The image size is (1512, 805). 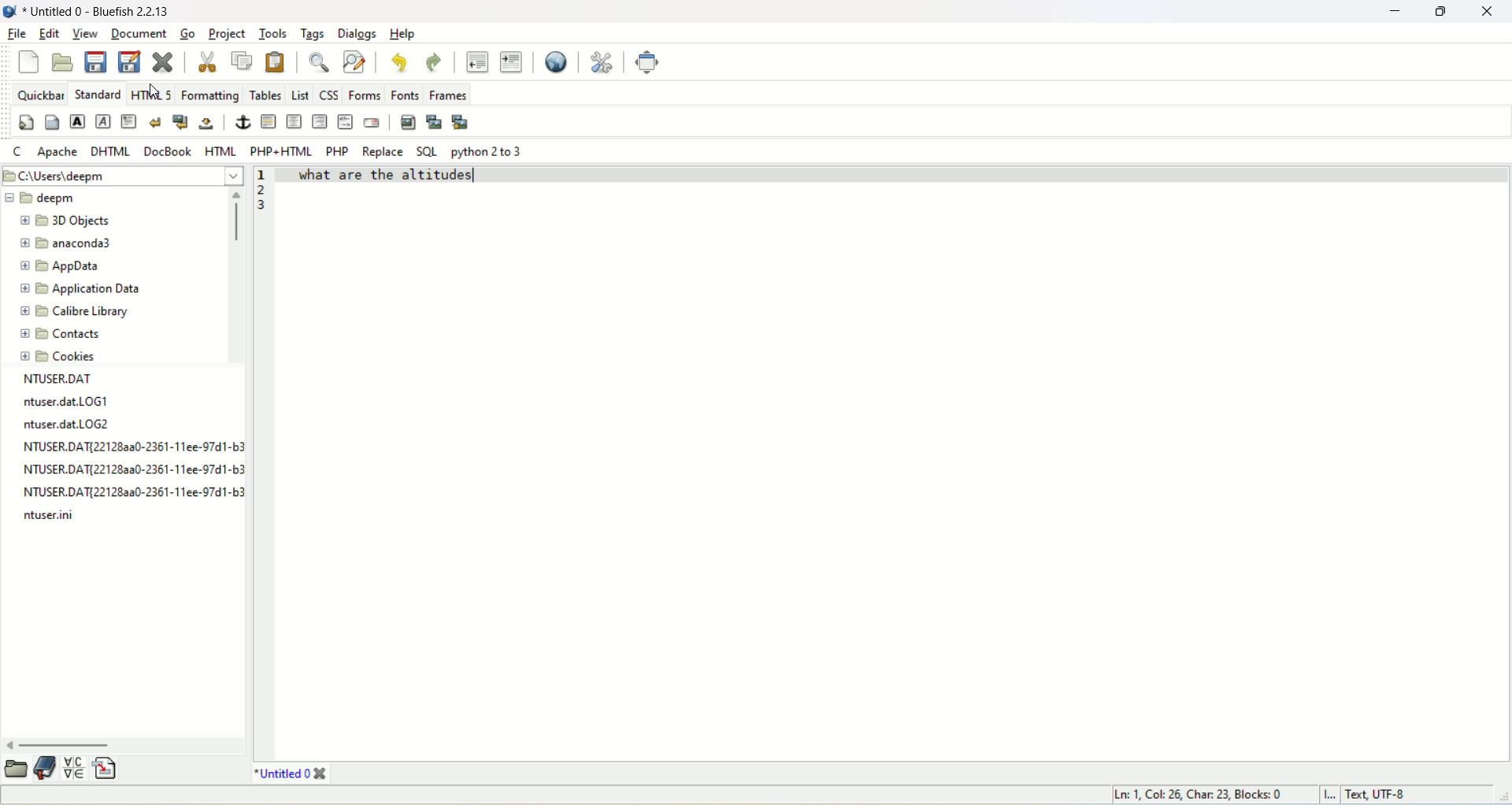 What do you see at coordinates (39, 95) in the screenshot?
I see `quickbar` at bounding box center [39, 95].